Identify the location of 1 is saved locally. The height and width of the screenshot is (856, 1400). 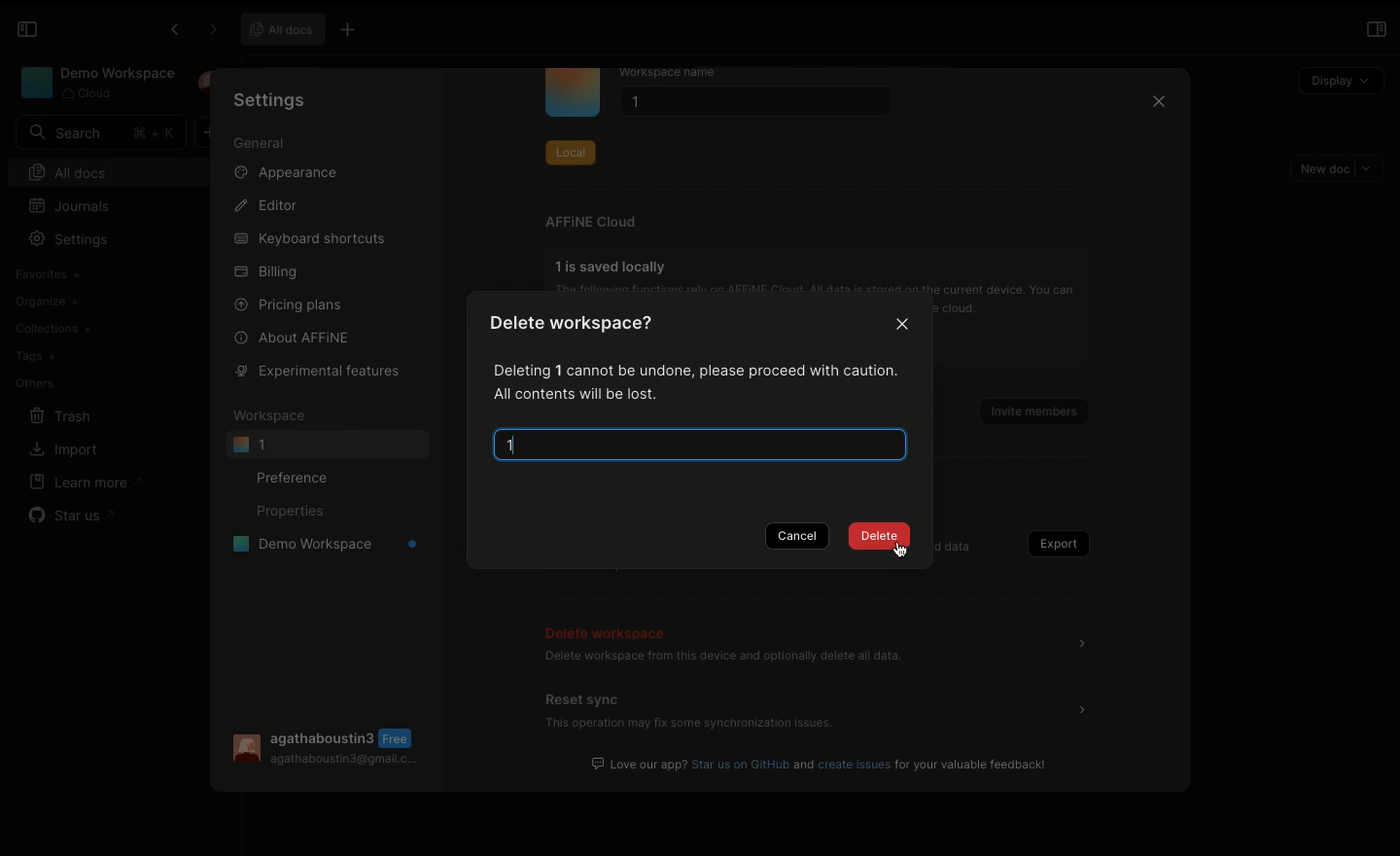
(614, 266).